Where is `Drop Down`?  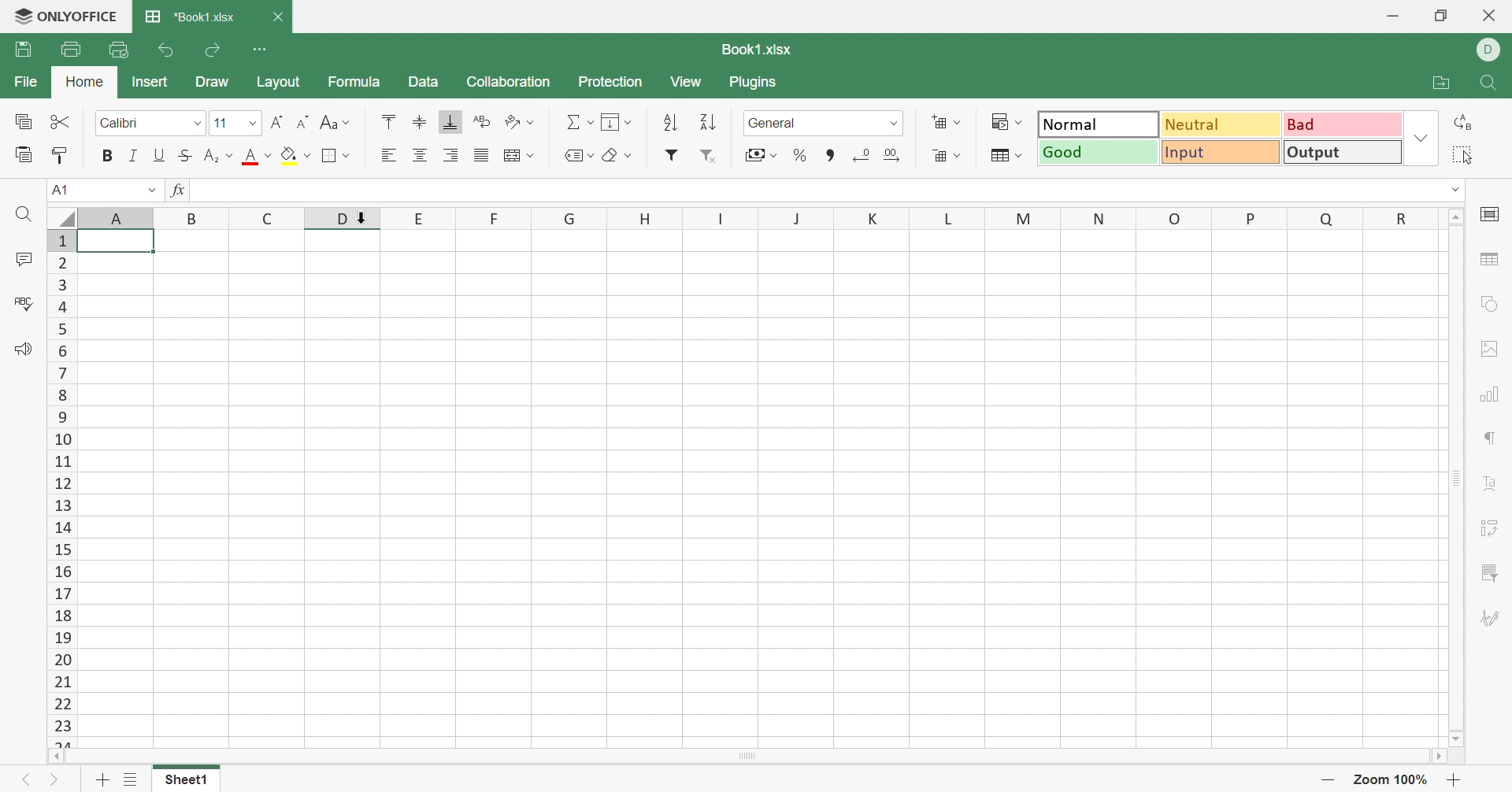 Drop Down is located at coordinates (628, 122).